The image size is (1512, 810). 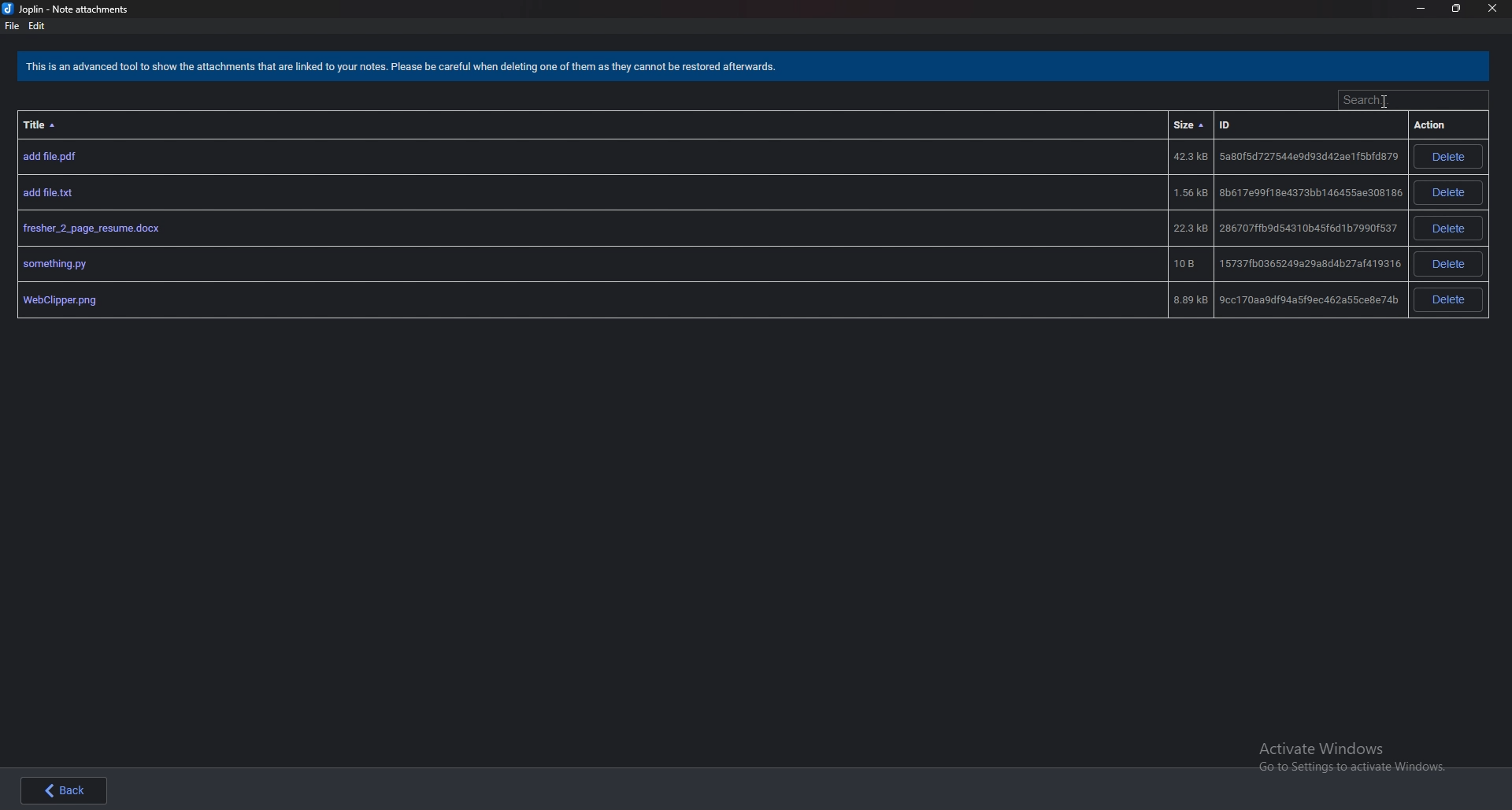 I want to click on delete, so click(x=1447, y=228).